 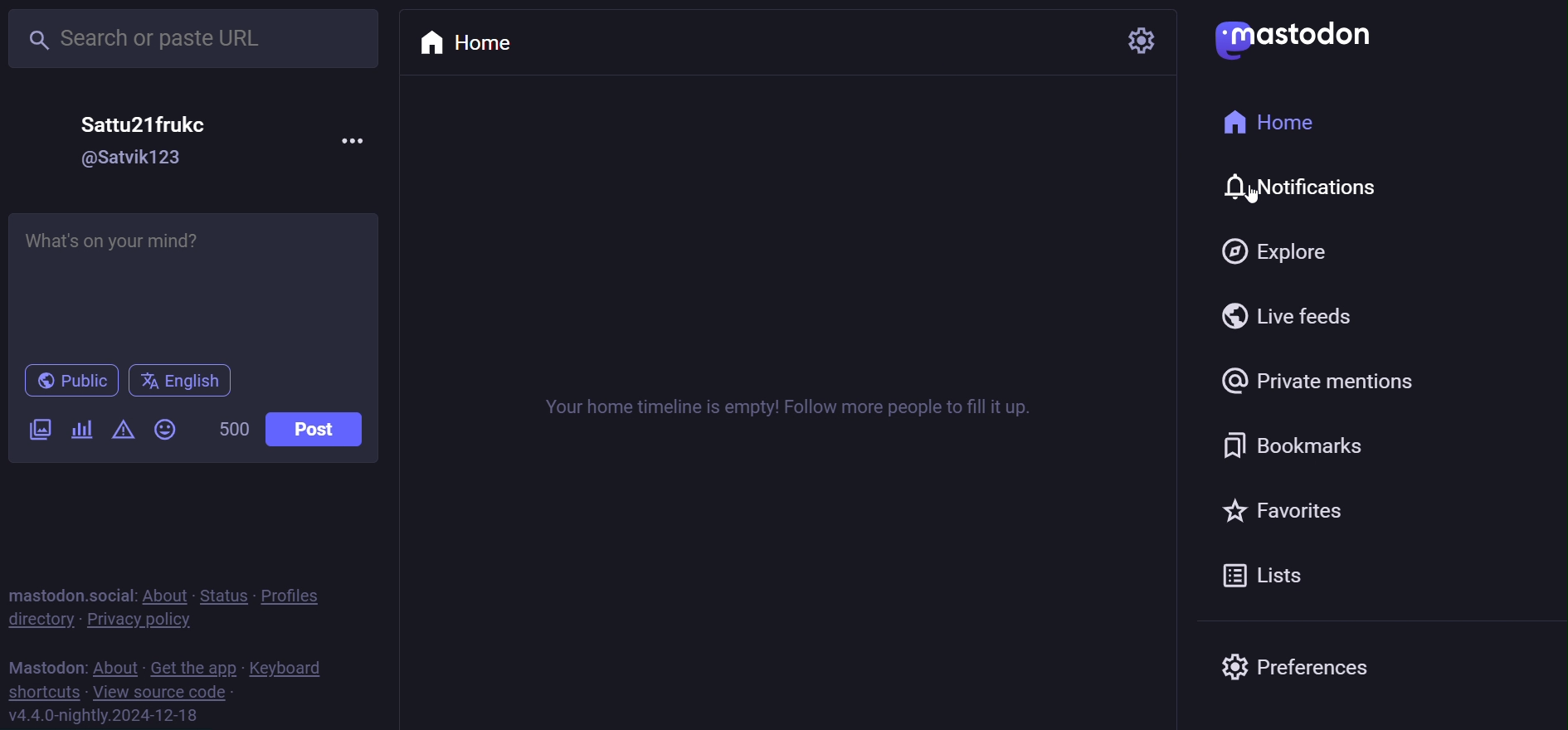 I want to click on mastodon, so click(x=46, y=664).